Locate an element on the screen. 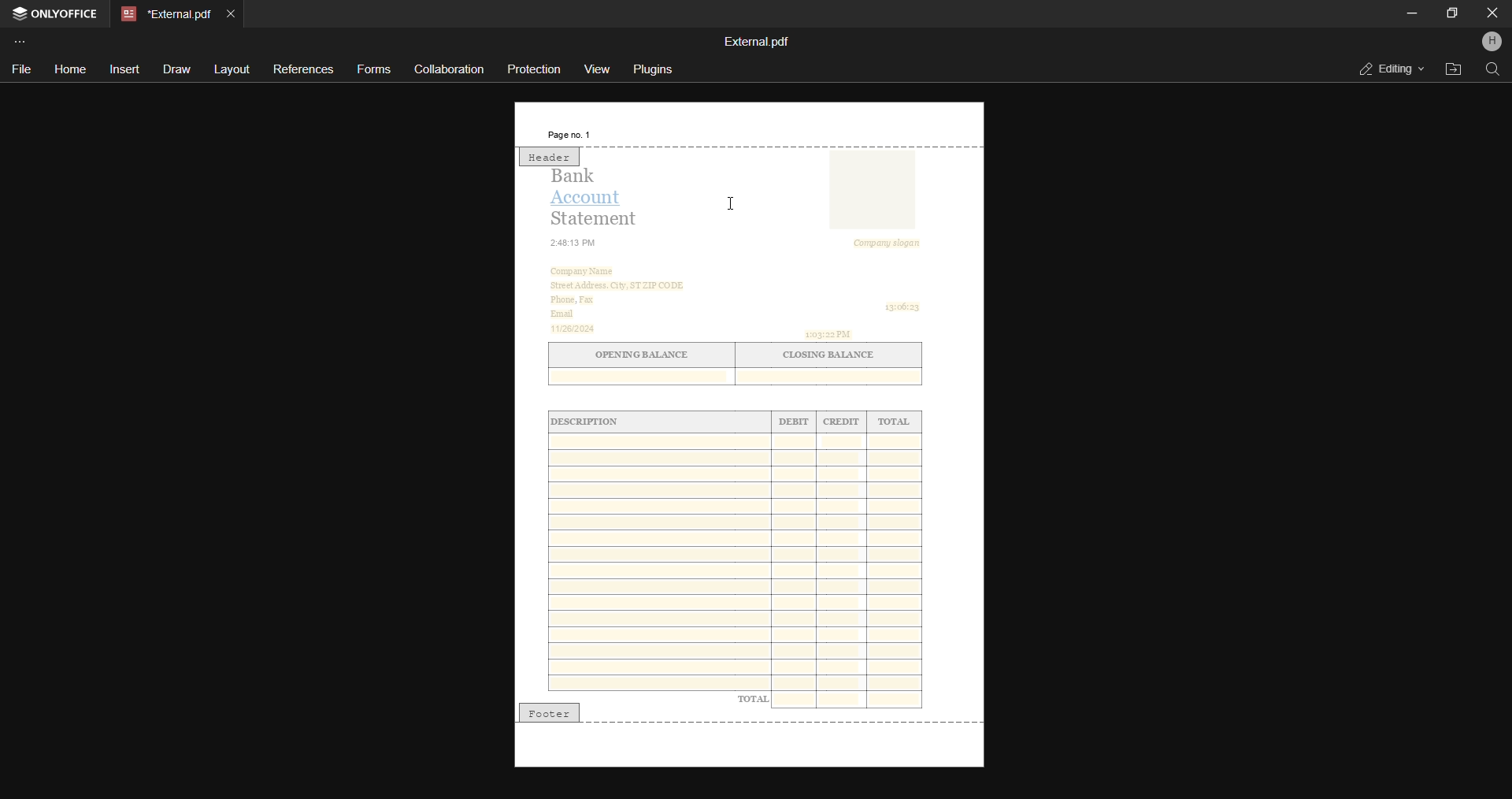  maximize is located at coordinates (1451, 12).